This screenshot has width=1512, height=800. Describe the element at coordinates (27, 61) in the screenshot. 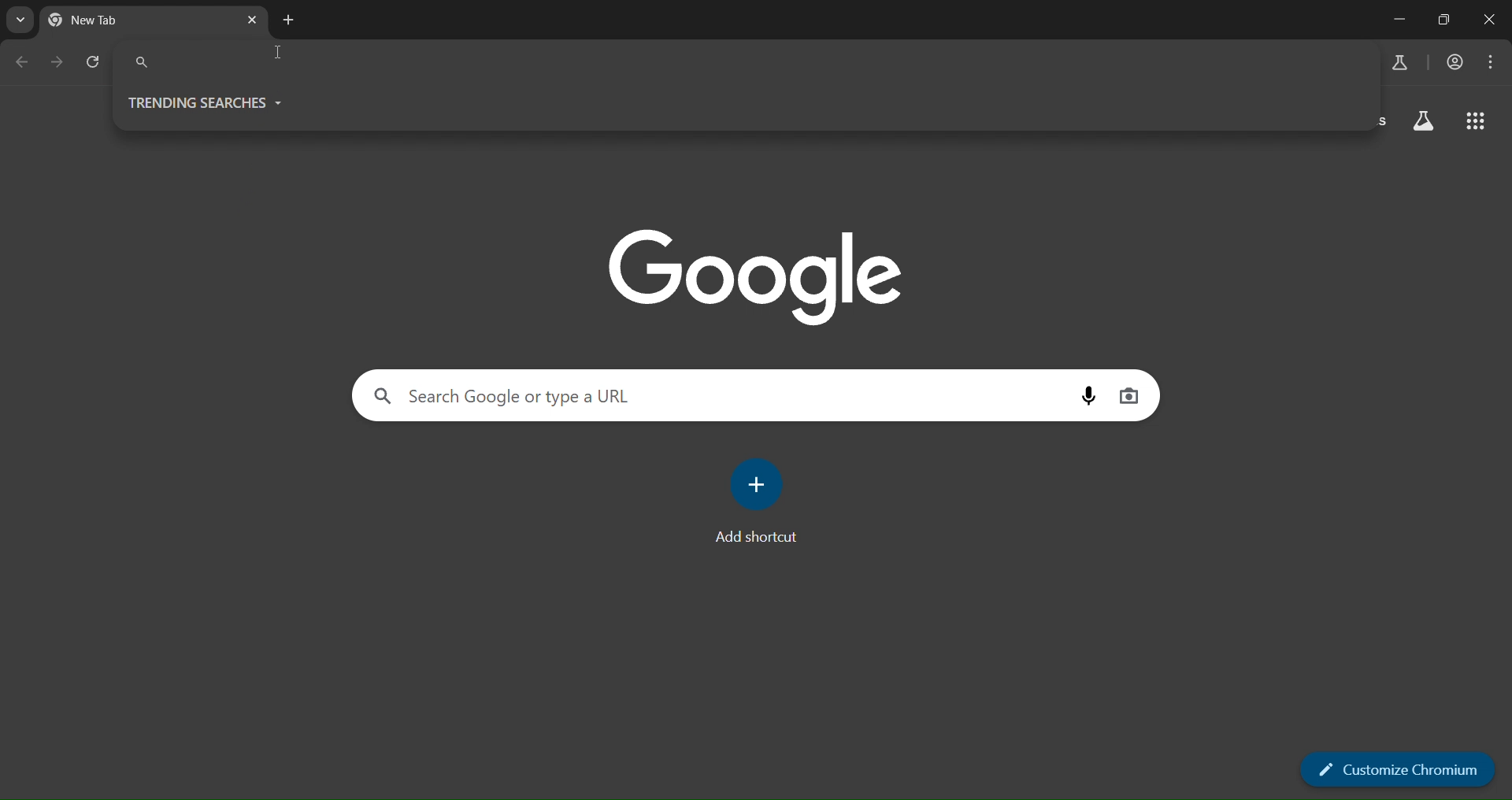

I see `go back one page` at that location.